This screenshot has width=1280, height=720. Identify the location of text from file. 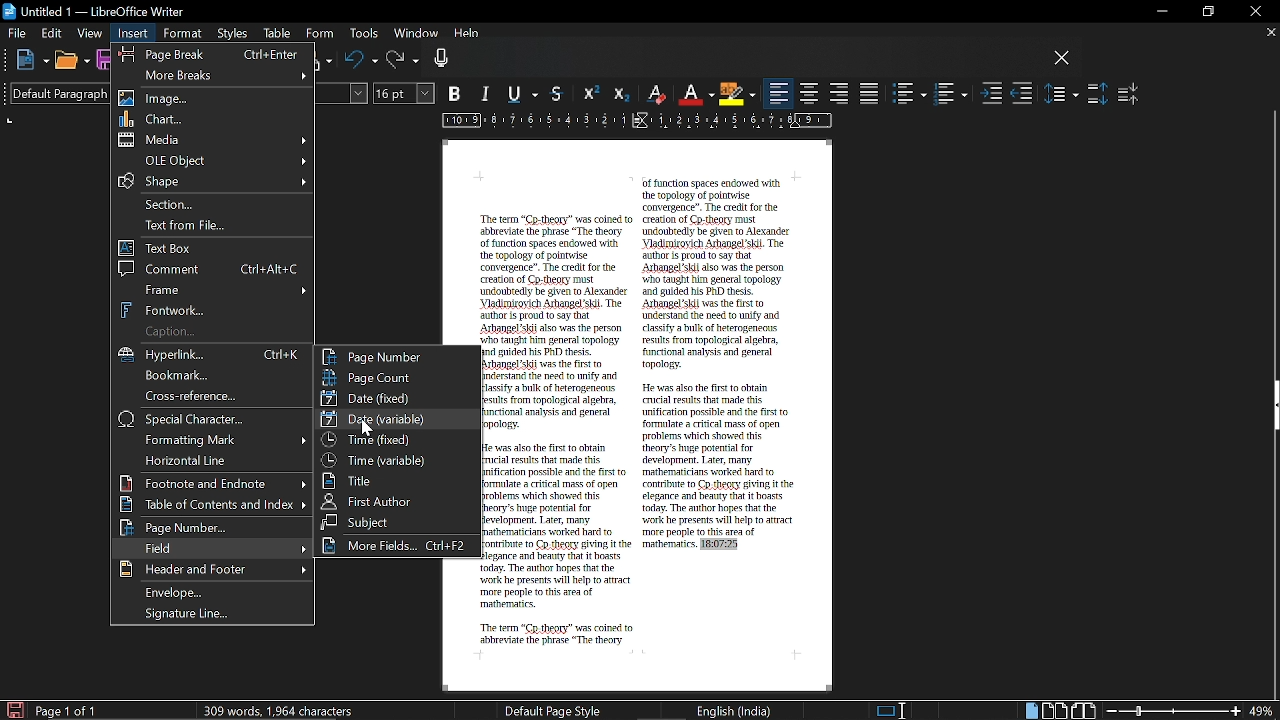
(214, 227).